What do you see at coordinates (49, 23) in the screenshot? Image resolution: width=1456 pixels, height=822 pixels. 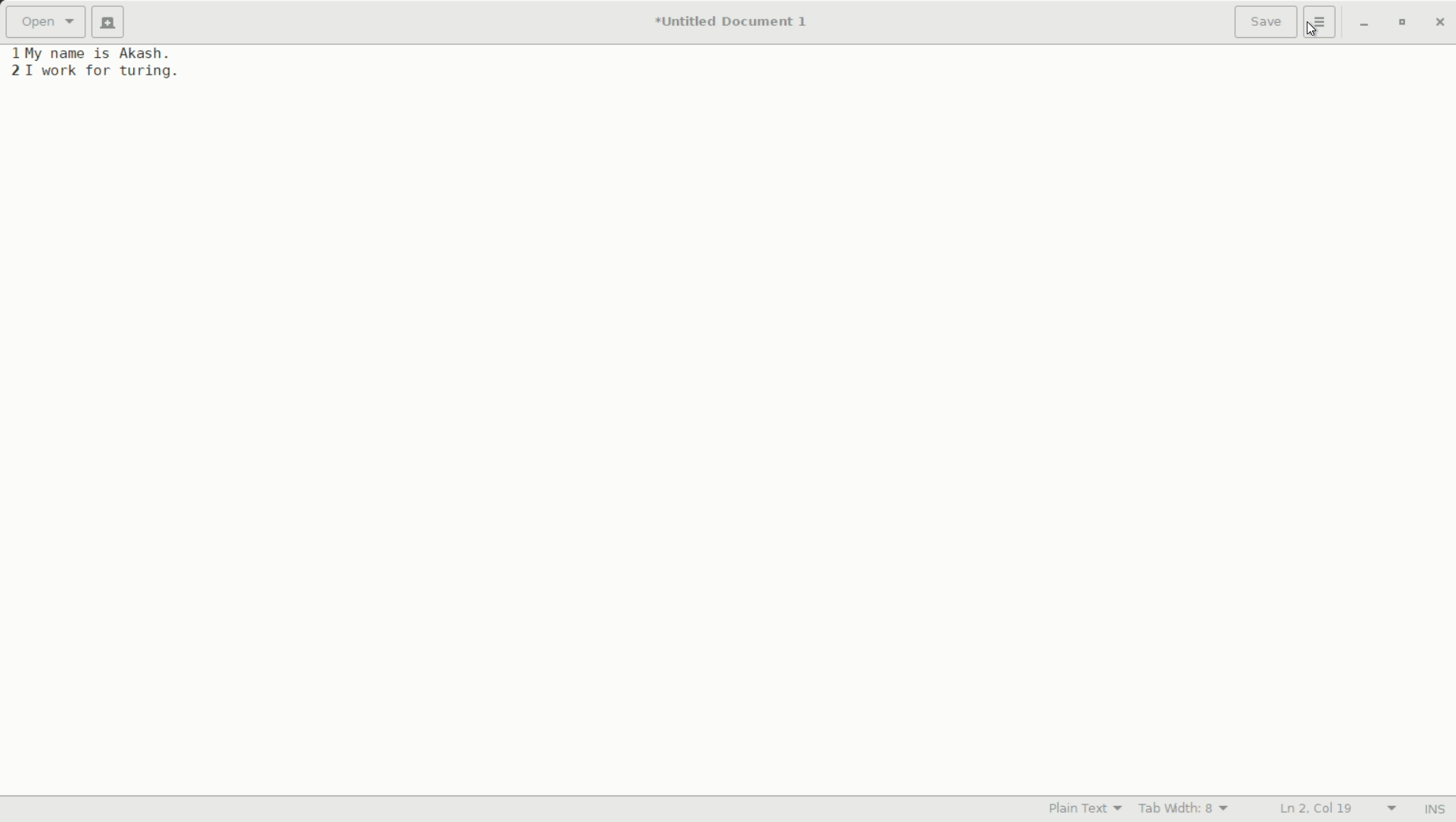 I see `open a file` at bounding box center [49, 23].